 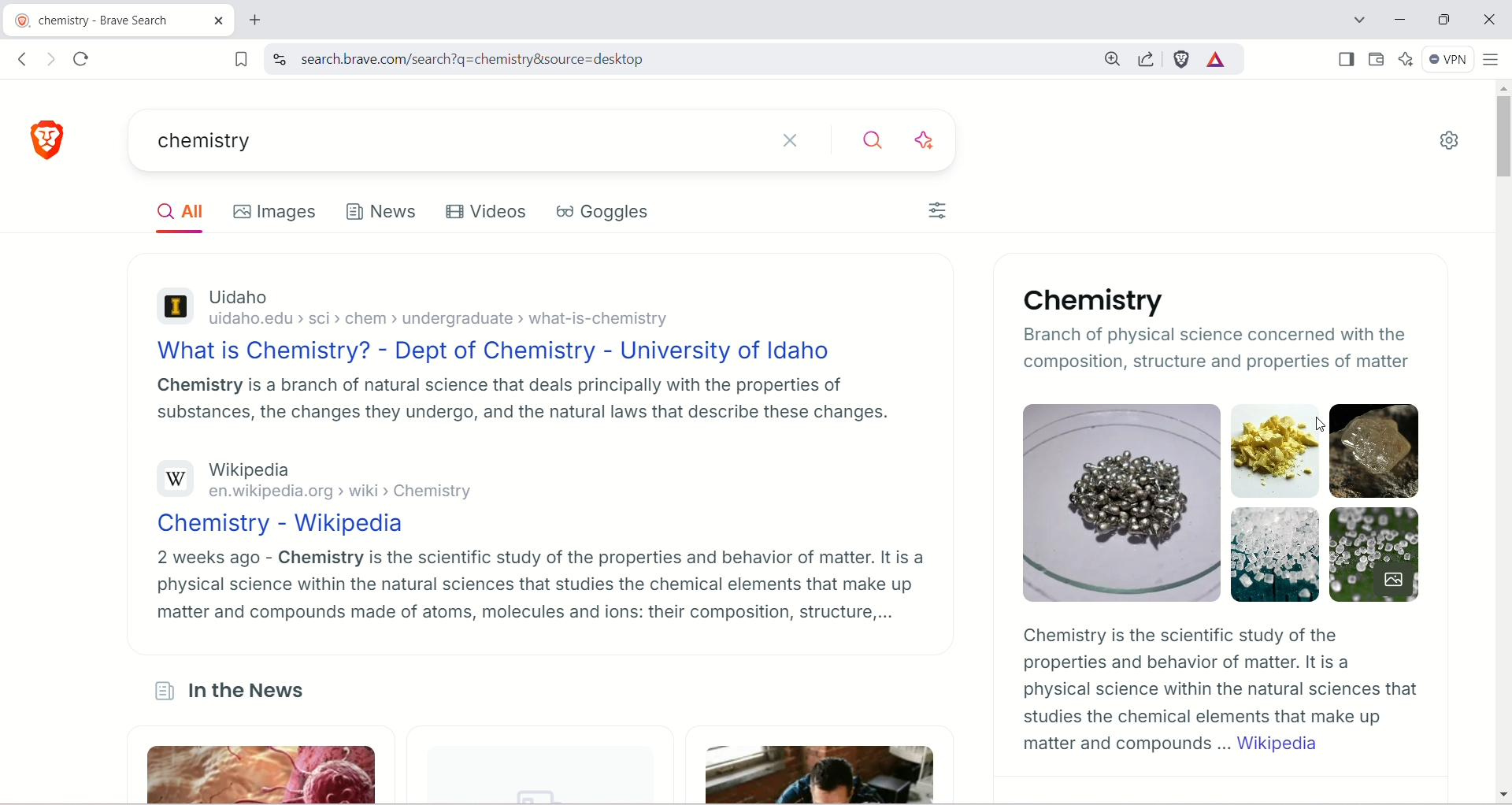 What do you see at coordinates (1183, 60) in the screenshot?
I see `brave schield` at bounding box center [1183, 60].